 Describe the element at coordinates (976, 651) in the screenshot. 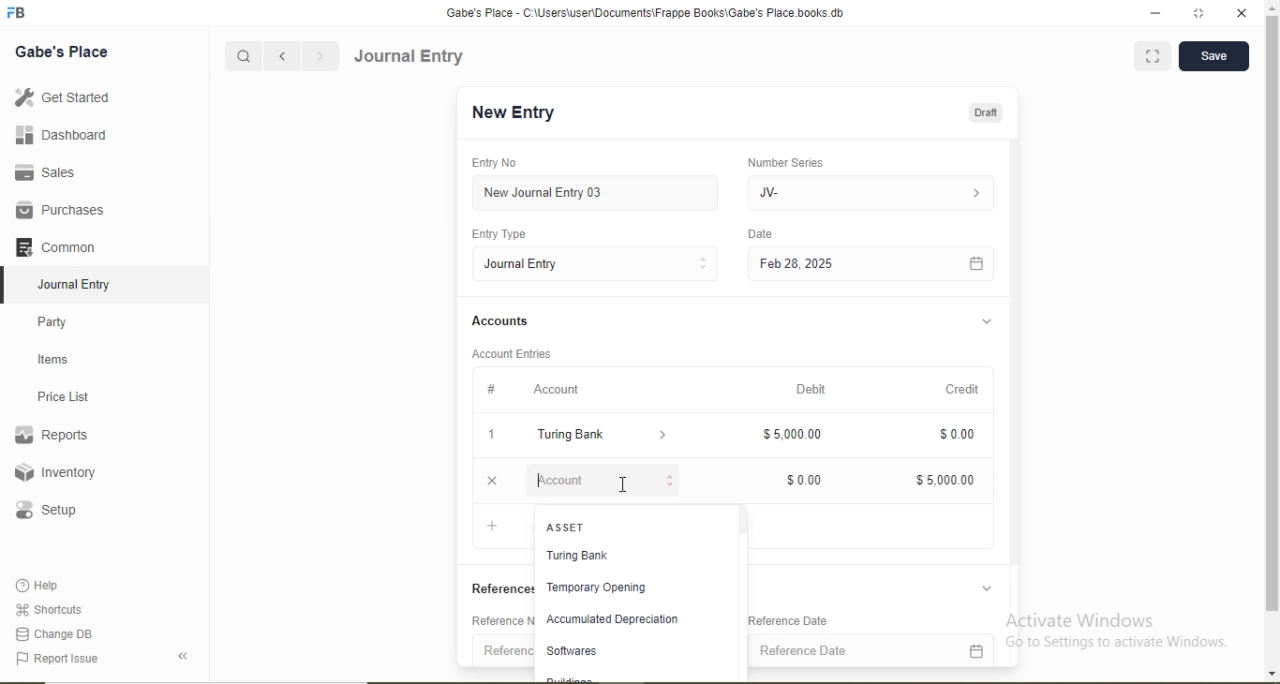

I see `Calendar` at that location.